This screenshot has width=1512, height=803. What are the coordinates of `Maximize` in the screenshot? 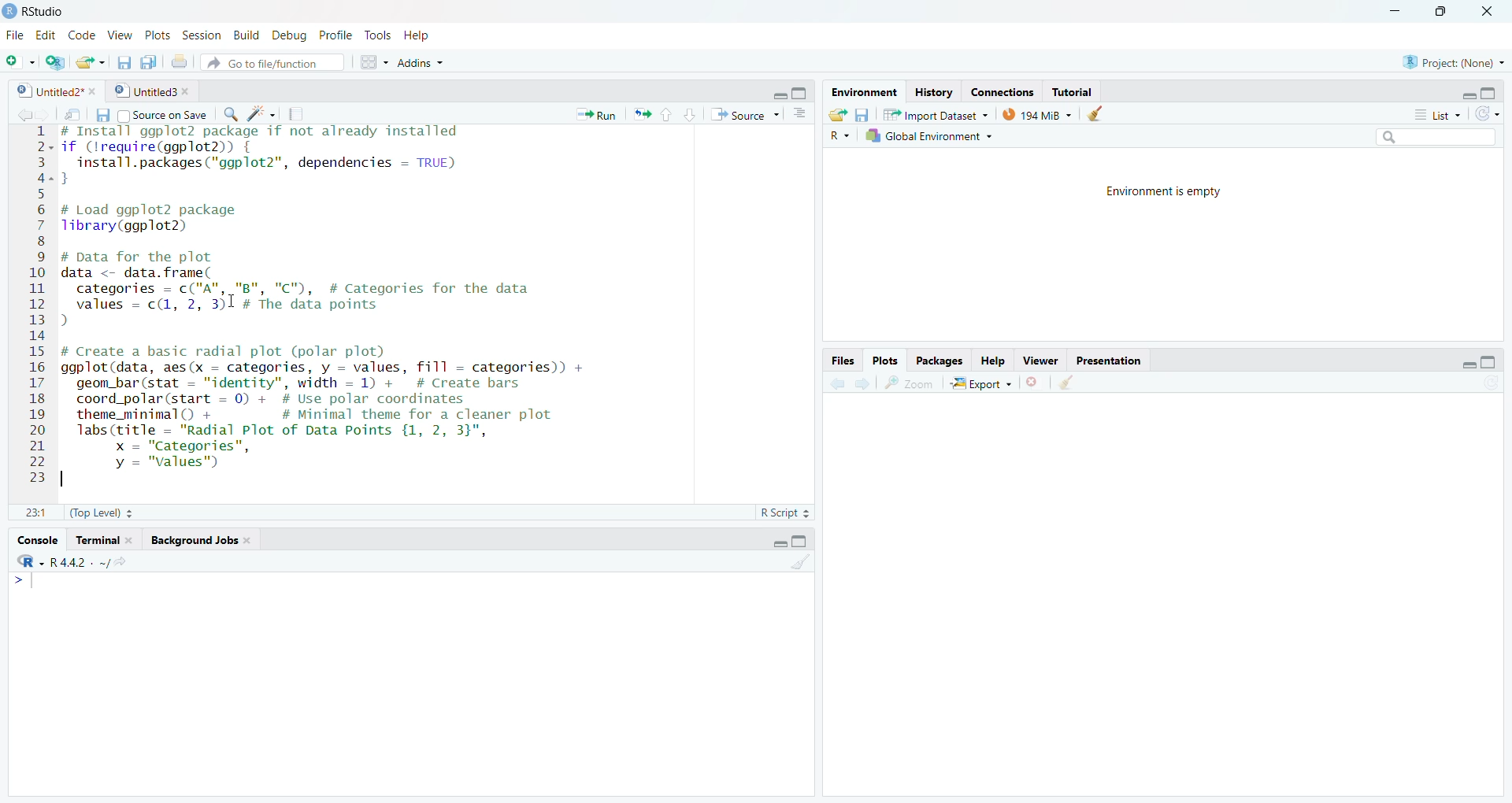 It's located at (1491, 359).